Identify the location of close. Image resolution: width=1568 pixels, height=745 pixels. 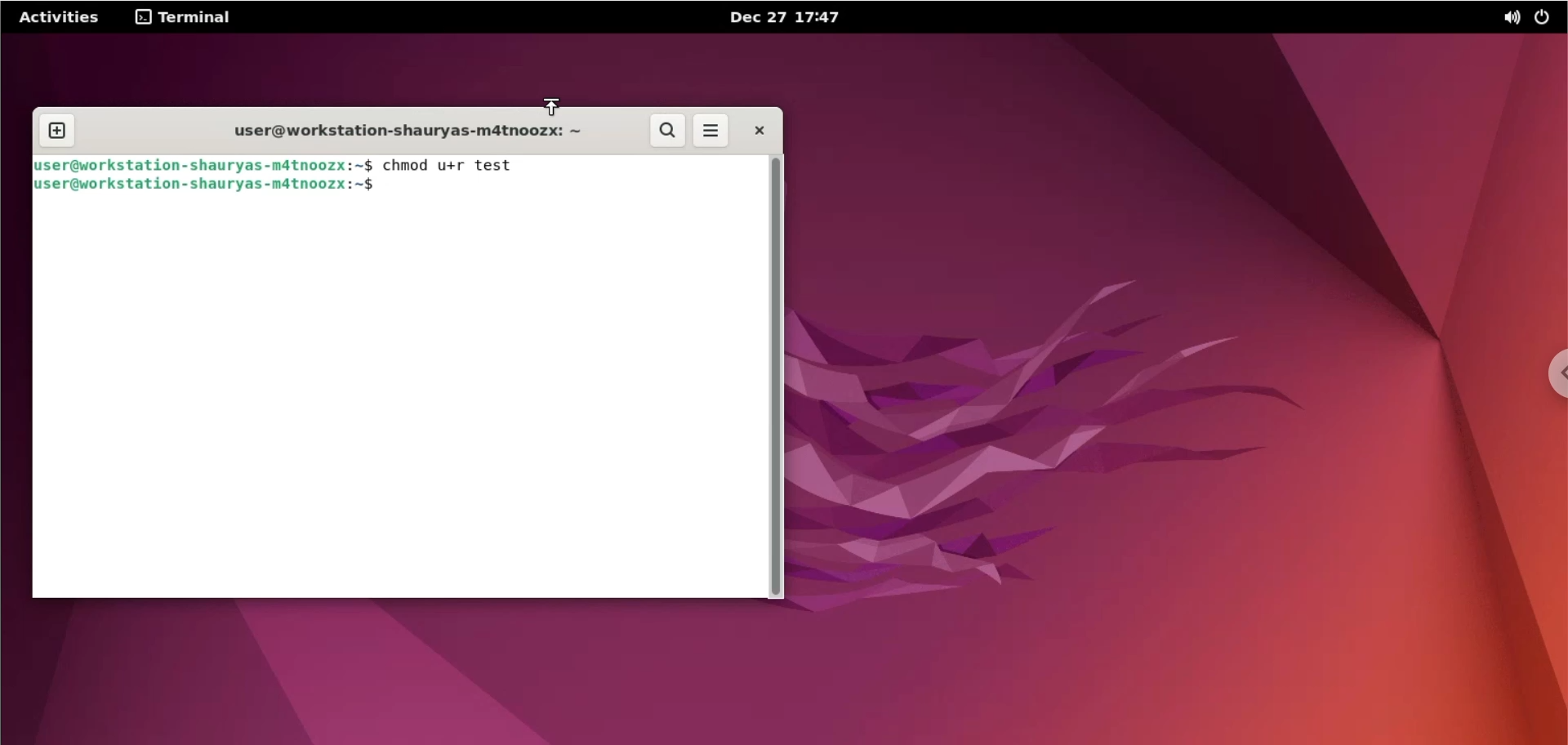
(759, 131).